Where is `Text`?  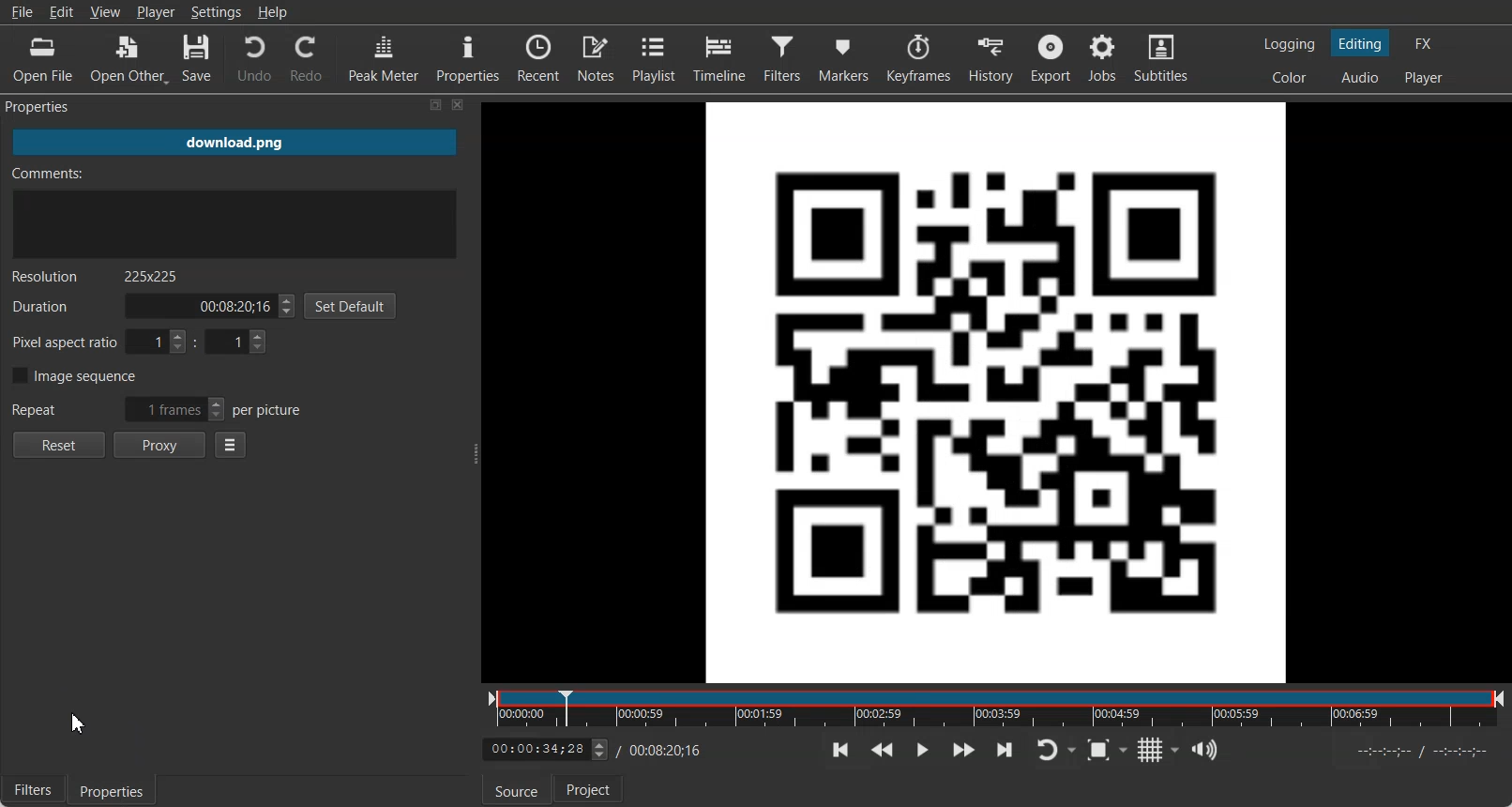 Text is located at coordinates (96, 276).